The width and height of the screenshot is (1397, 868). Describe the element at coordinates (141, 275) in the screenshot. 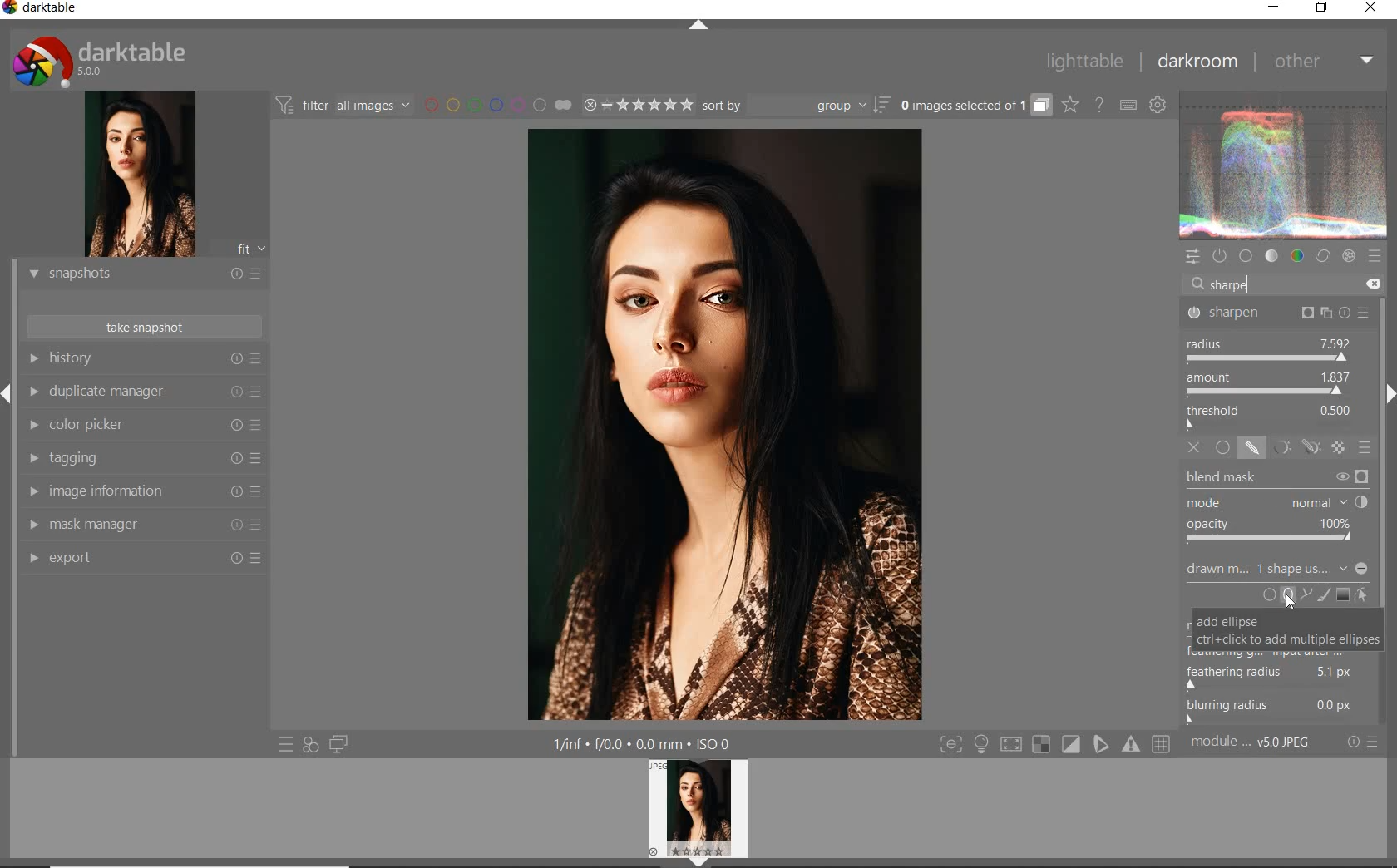

I see `SNAPSHOTS` at that location.